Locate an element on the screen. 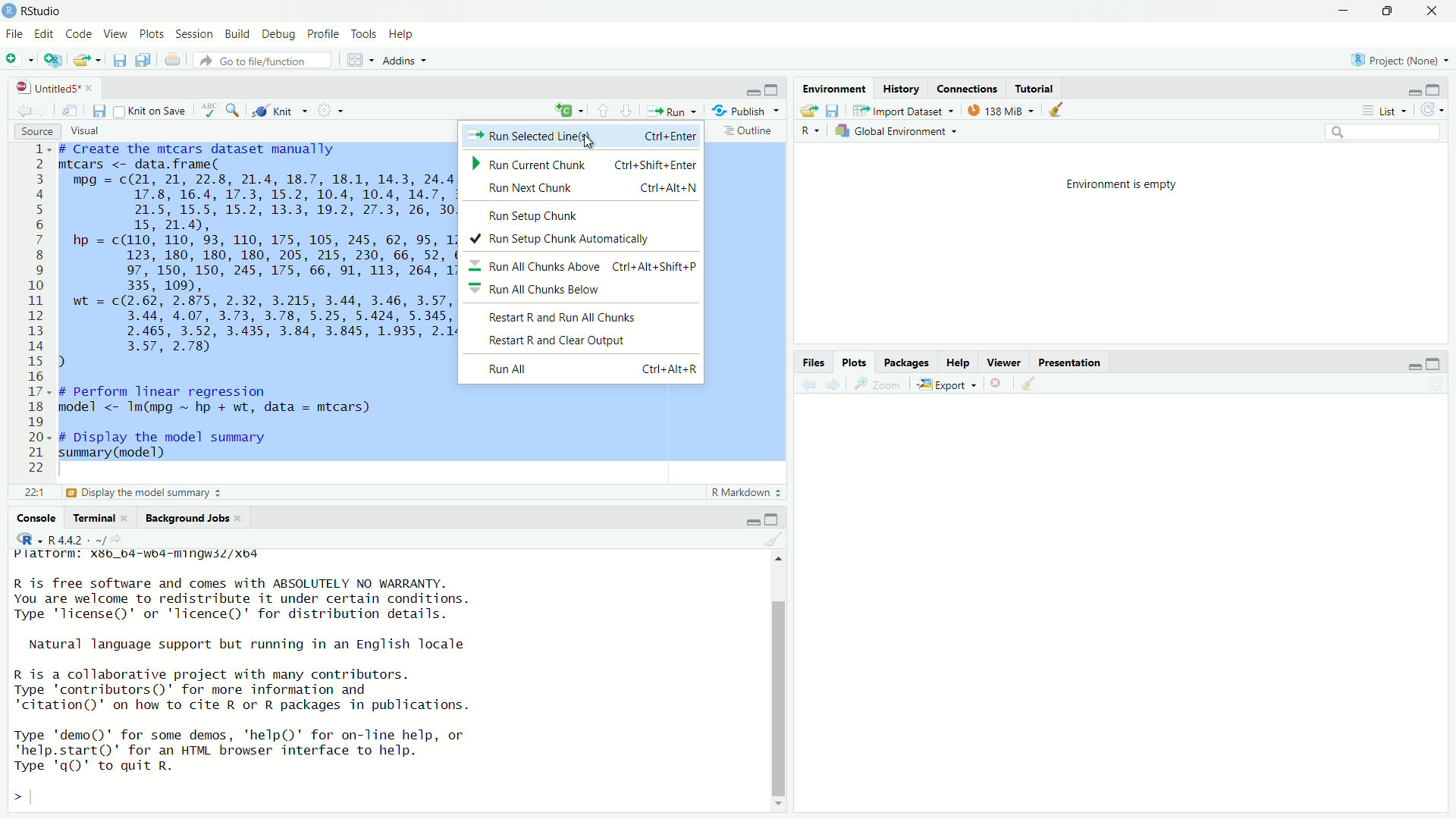 The image size is (1456, 819). Run Current Chunk is located at coordinates (529, 164).